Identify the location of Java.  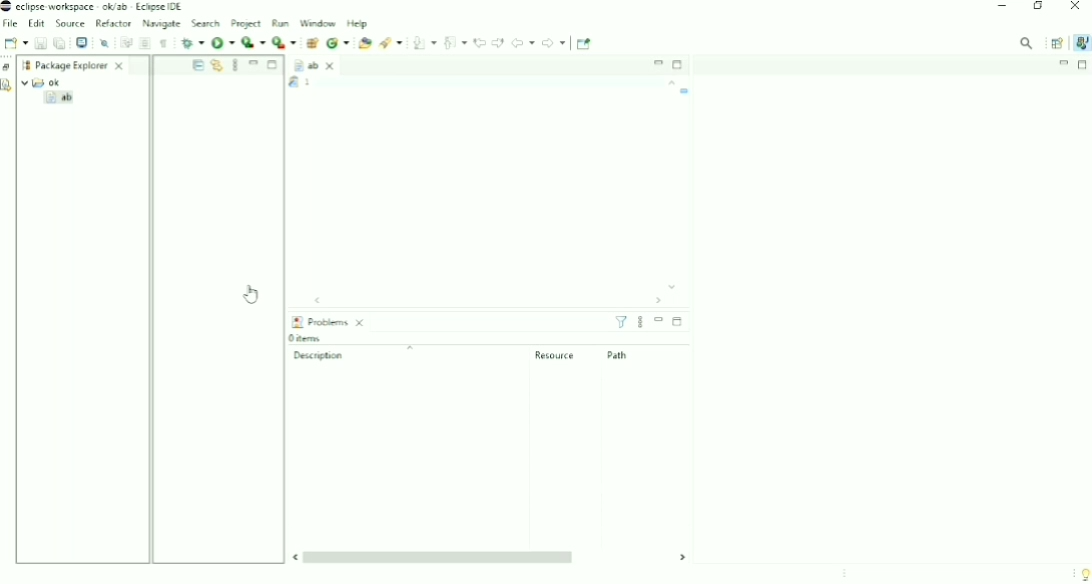
(1080, 43).